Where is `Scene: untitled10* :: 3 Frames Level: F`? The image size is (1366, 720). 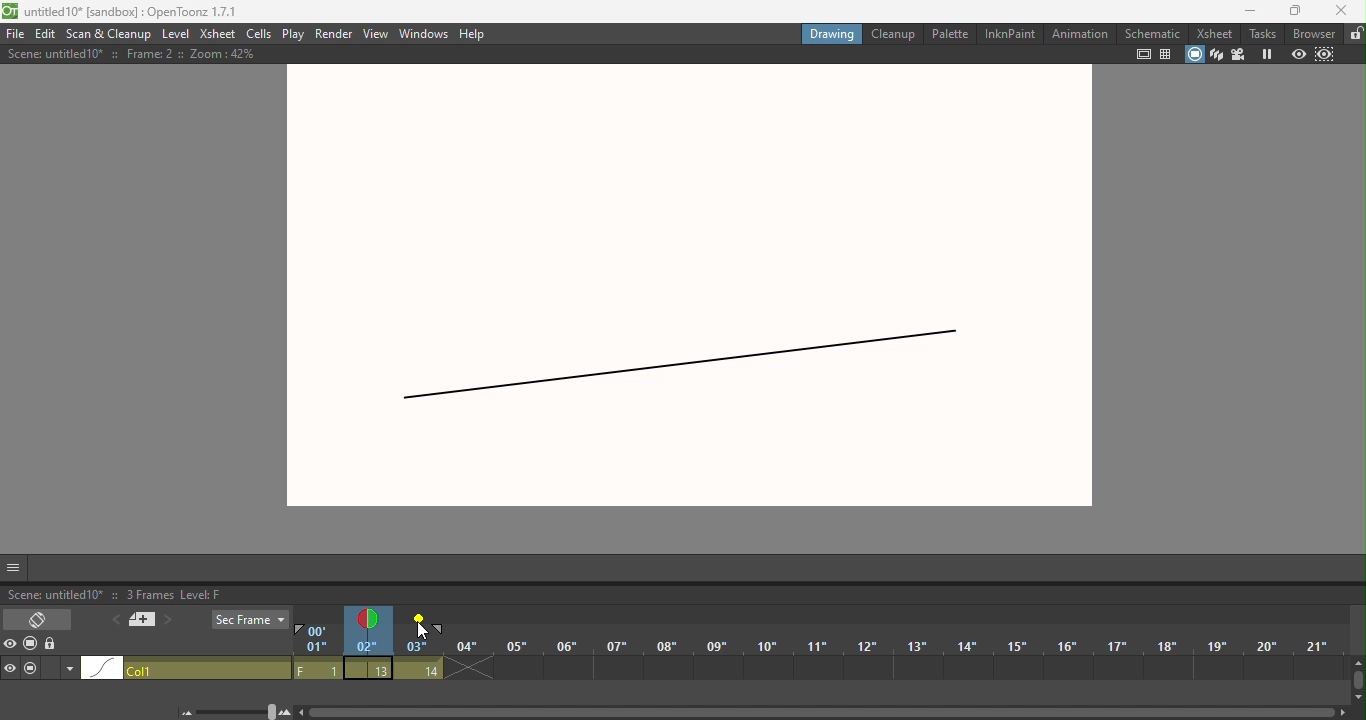
Scene: untitled10* :: 3 Frames Level: F is located at coordinates (682, 593).